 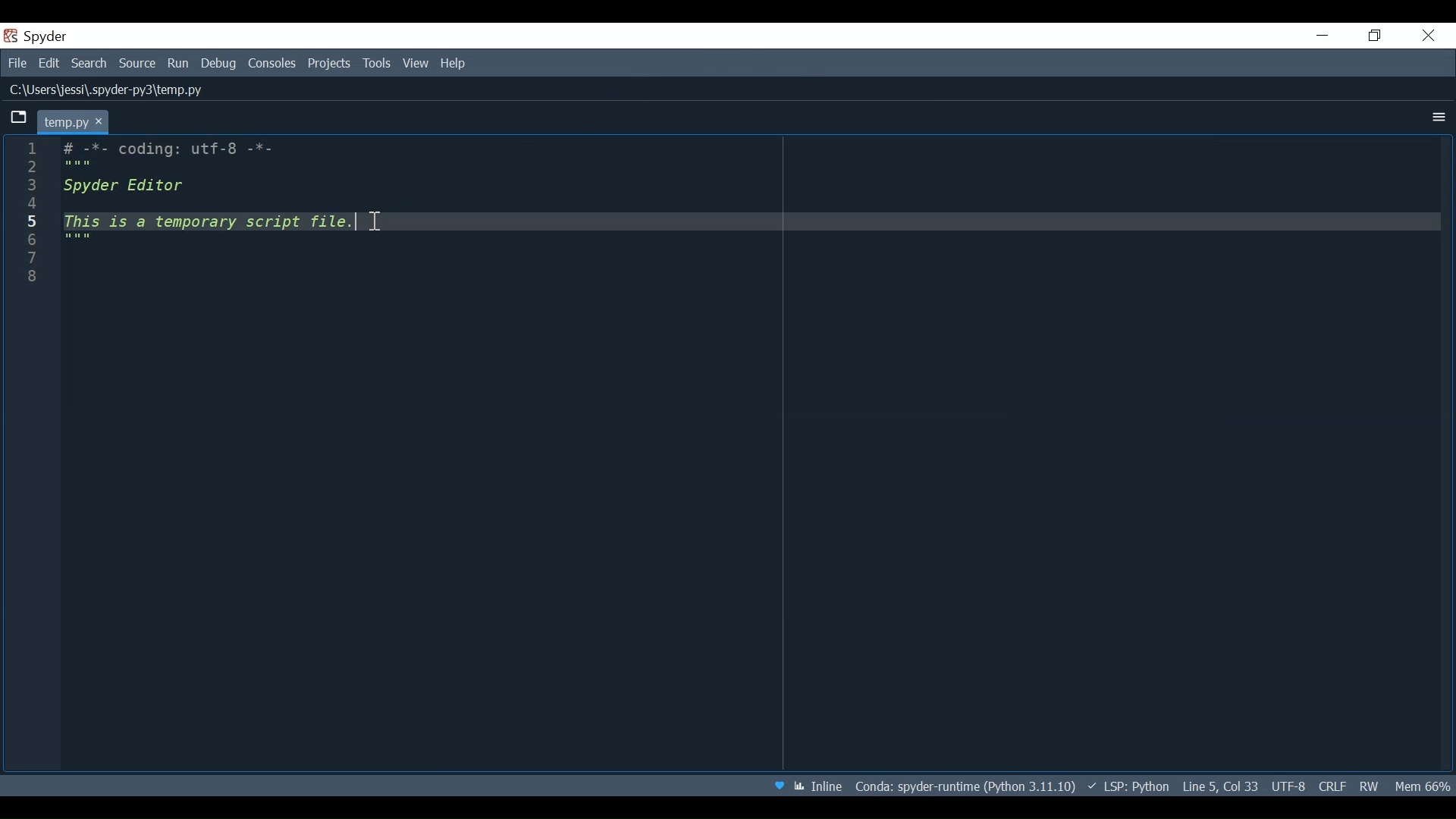 I want to click on Tools, so click(x=375, y=64).